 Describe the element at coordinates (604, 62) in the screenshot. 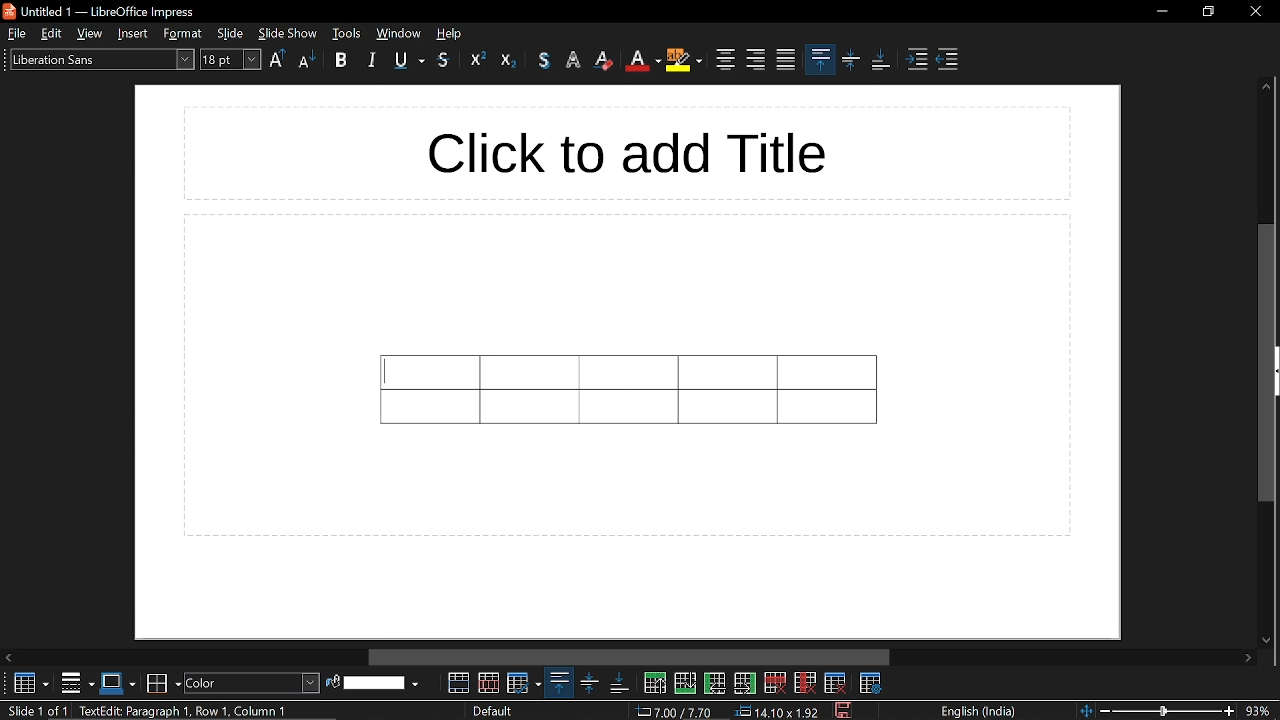

I see `eraser` at that location.